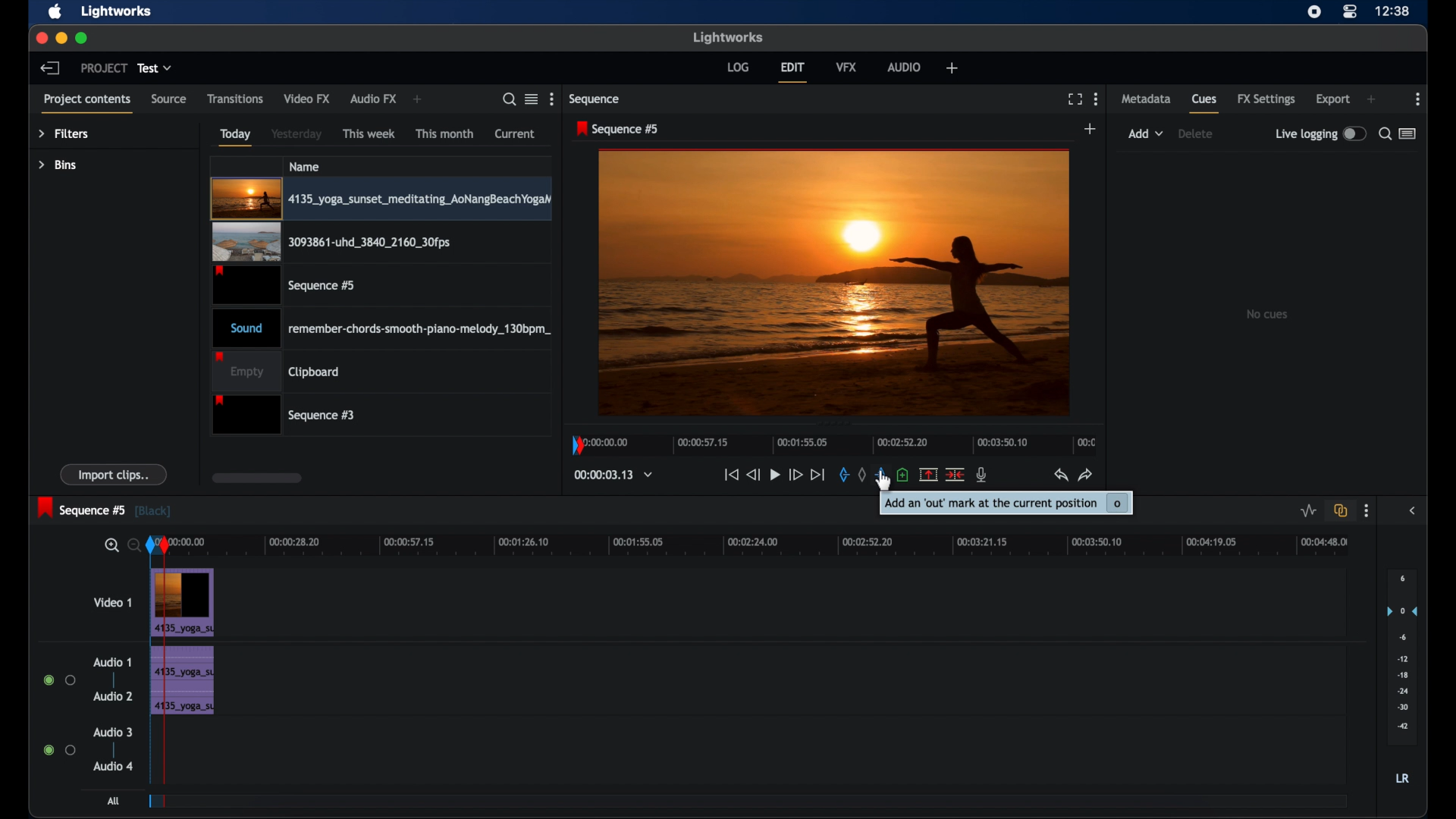  I want to click on radio button, so click(59, 750).